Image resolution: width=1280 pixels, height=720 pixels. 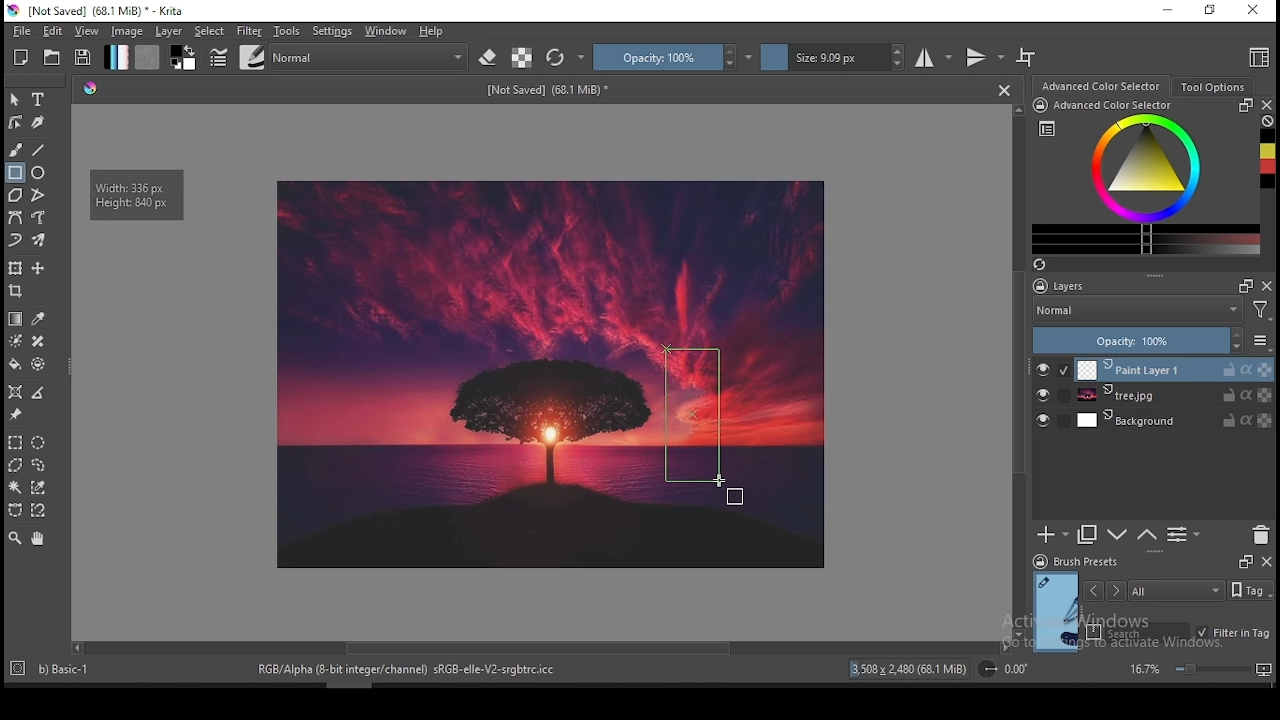 What do you see at coordinates (673, 57) in the screenshot?
I see `opacity` at bounding box center [673, 57].